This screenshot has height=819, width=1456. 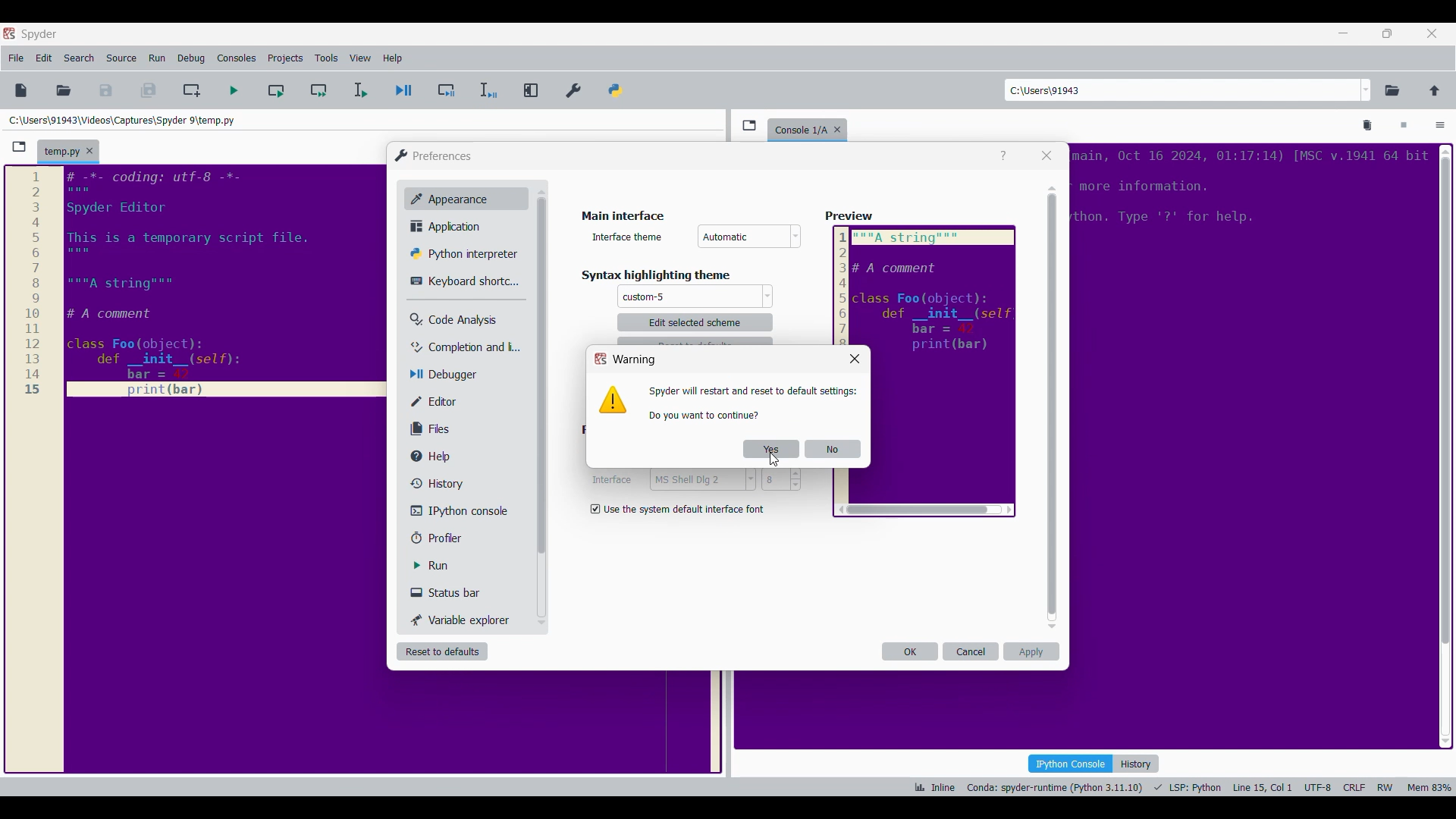 What do you see at coordinates (44, 58) in the screenshot?
I see `Edit menu` at bounding box center [44, 58].